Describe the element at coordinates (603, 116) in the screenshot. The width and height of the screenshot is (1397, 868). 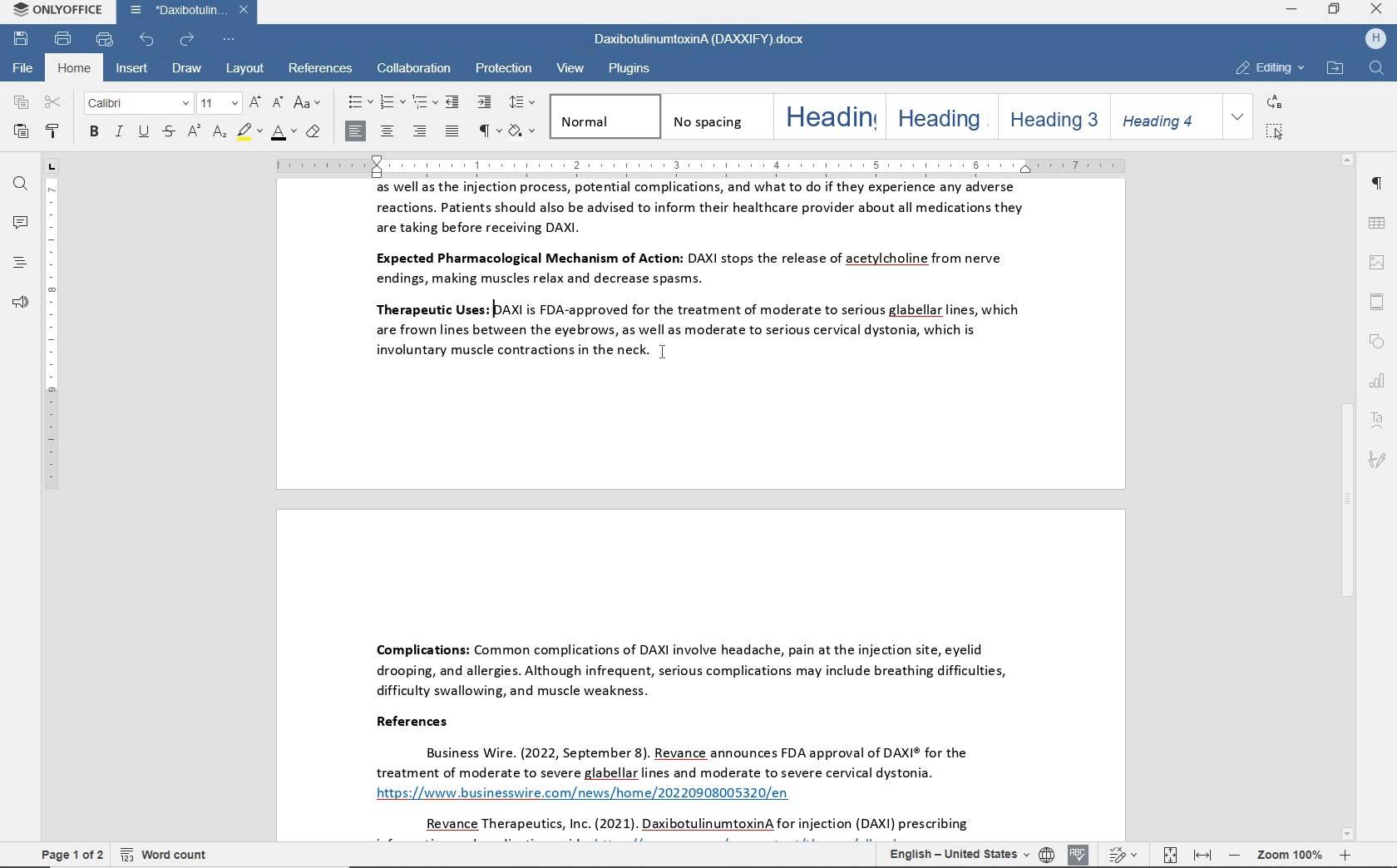
I see `normal` at that location.